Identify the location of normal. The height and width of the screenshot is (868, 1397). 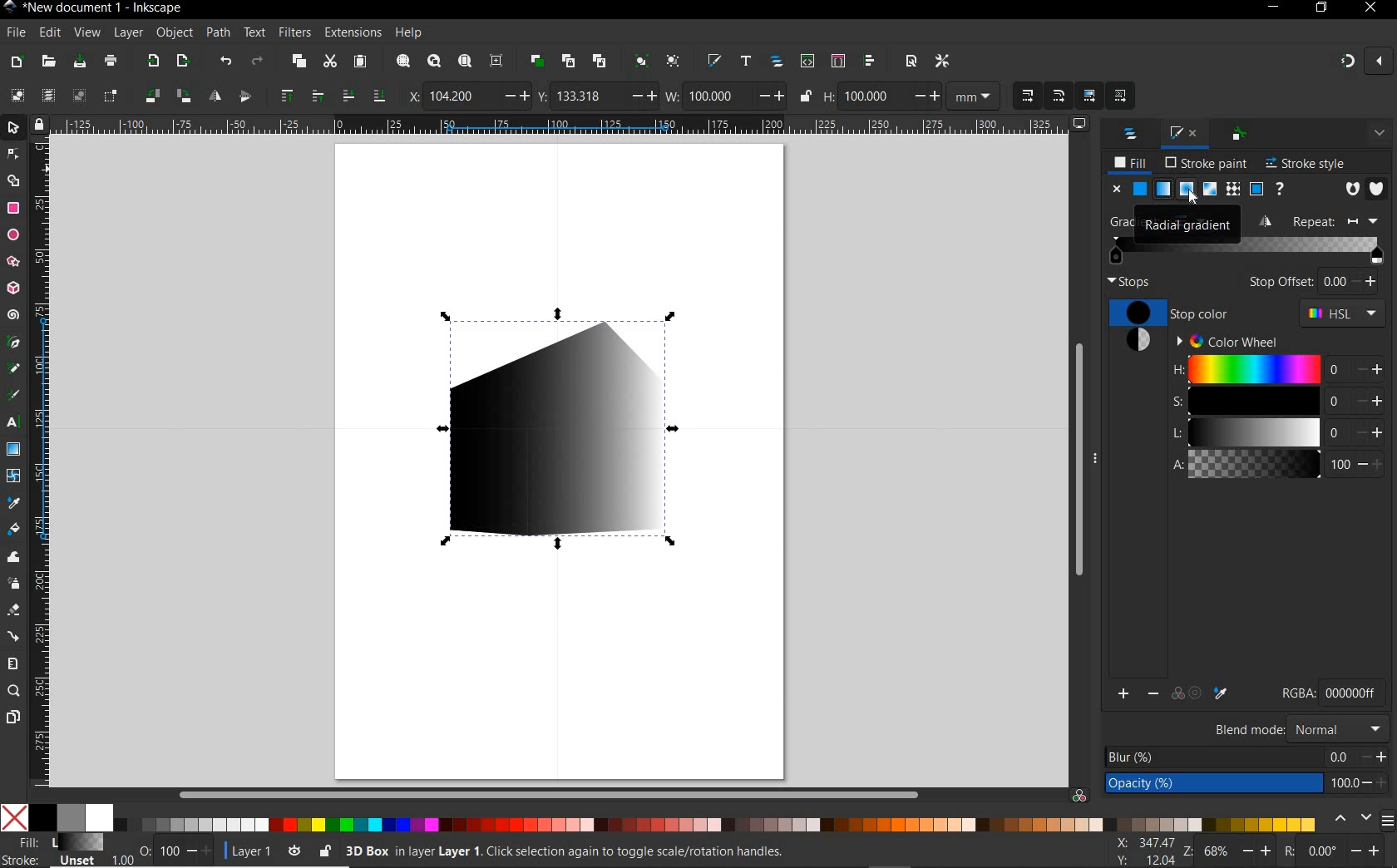
(1337, 728).